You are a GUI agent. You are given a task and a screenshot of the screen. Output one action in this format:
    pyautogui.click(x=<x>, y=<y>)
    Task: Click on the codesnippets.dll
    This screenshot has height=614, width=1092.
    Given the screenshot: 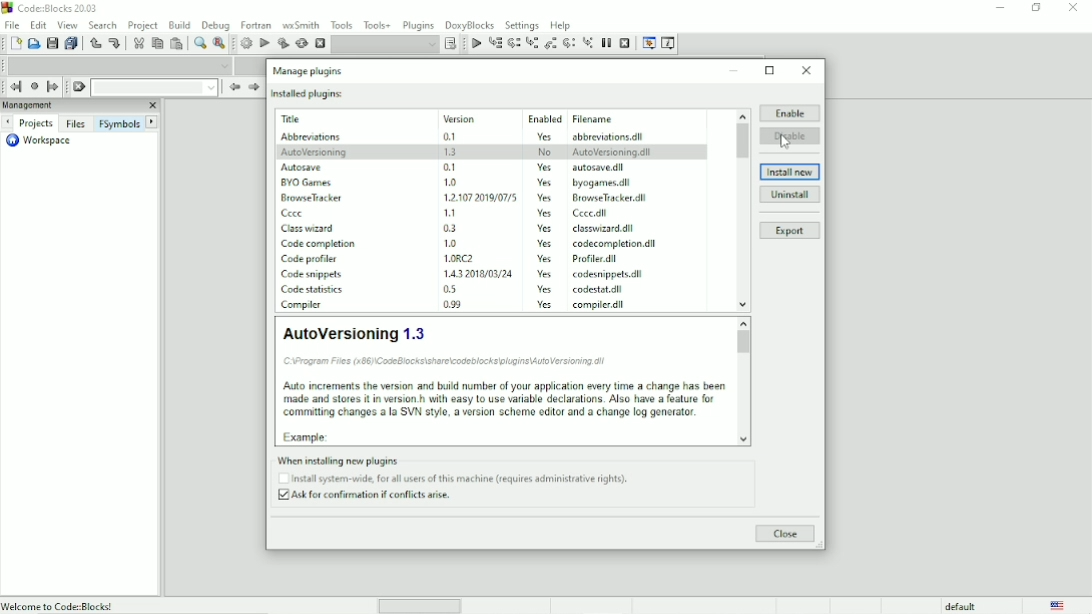 What is the action you would take?
    pyautogui.click(x=606, y=274)
    